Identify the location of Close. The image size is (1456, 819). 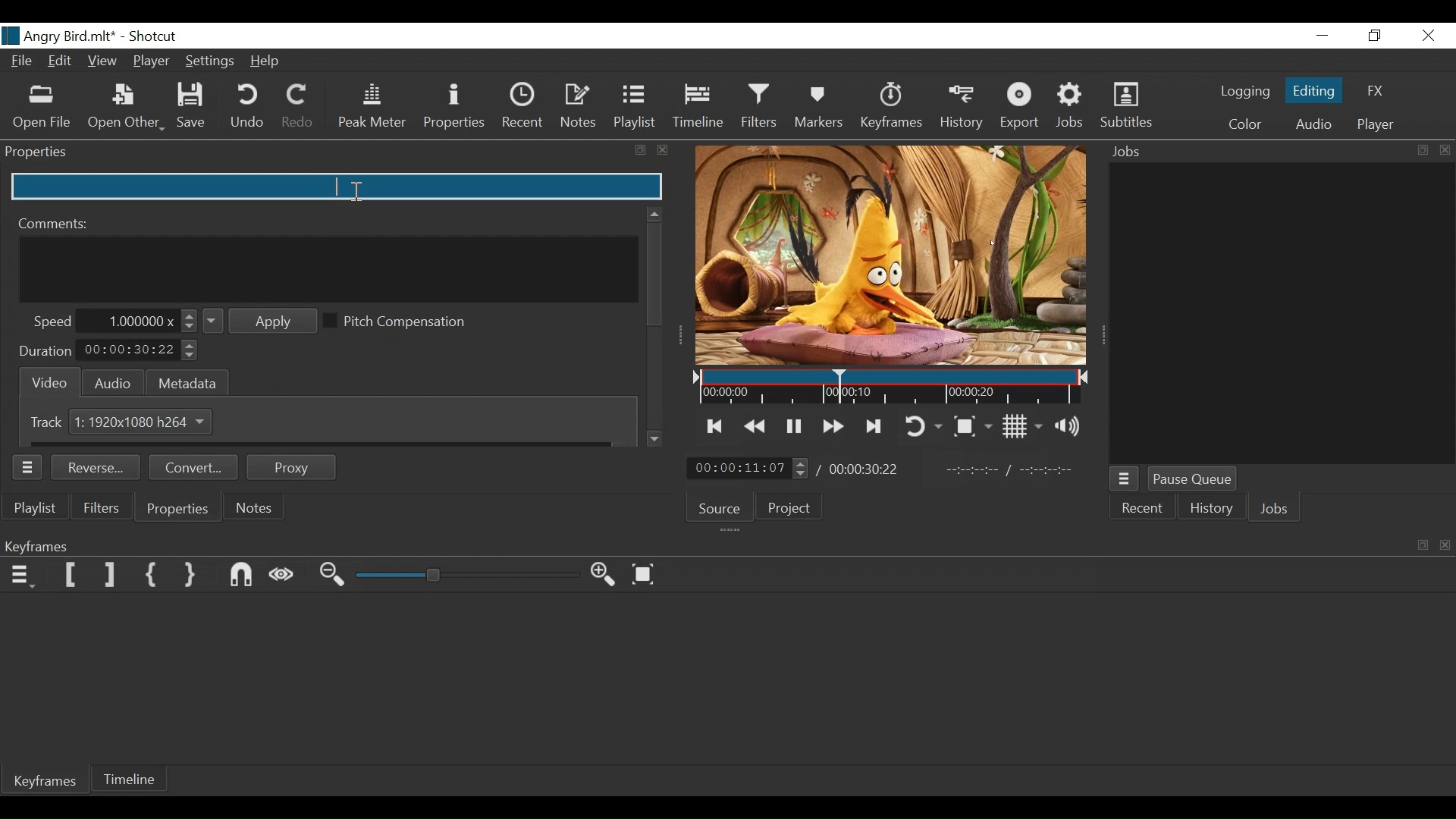
(1426, 35).